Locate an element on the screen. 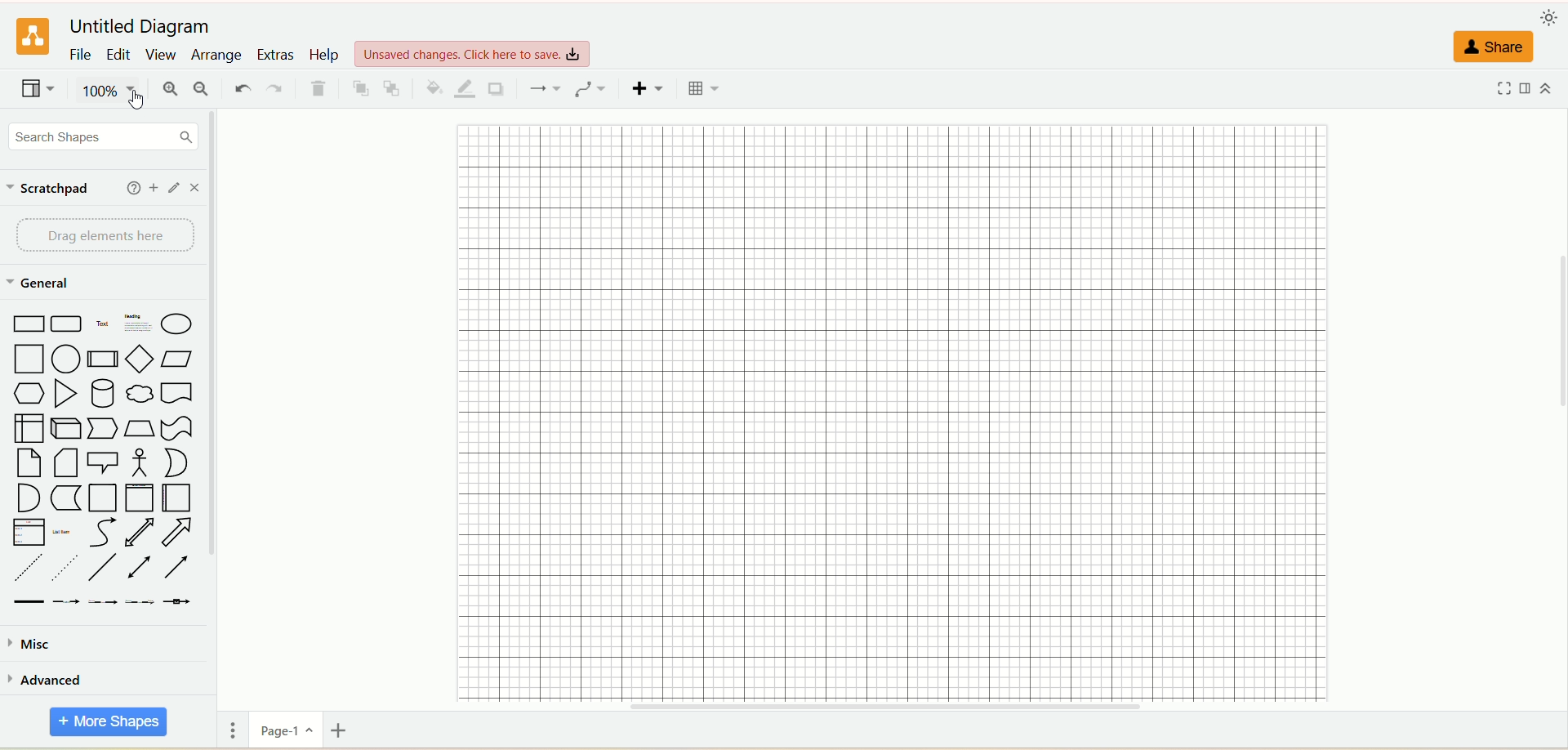 This screenshot has width=1568, height=750. process is located at coordinates (102, 358).